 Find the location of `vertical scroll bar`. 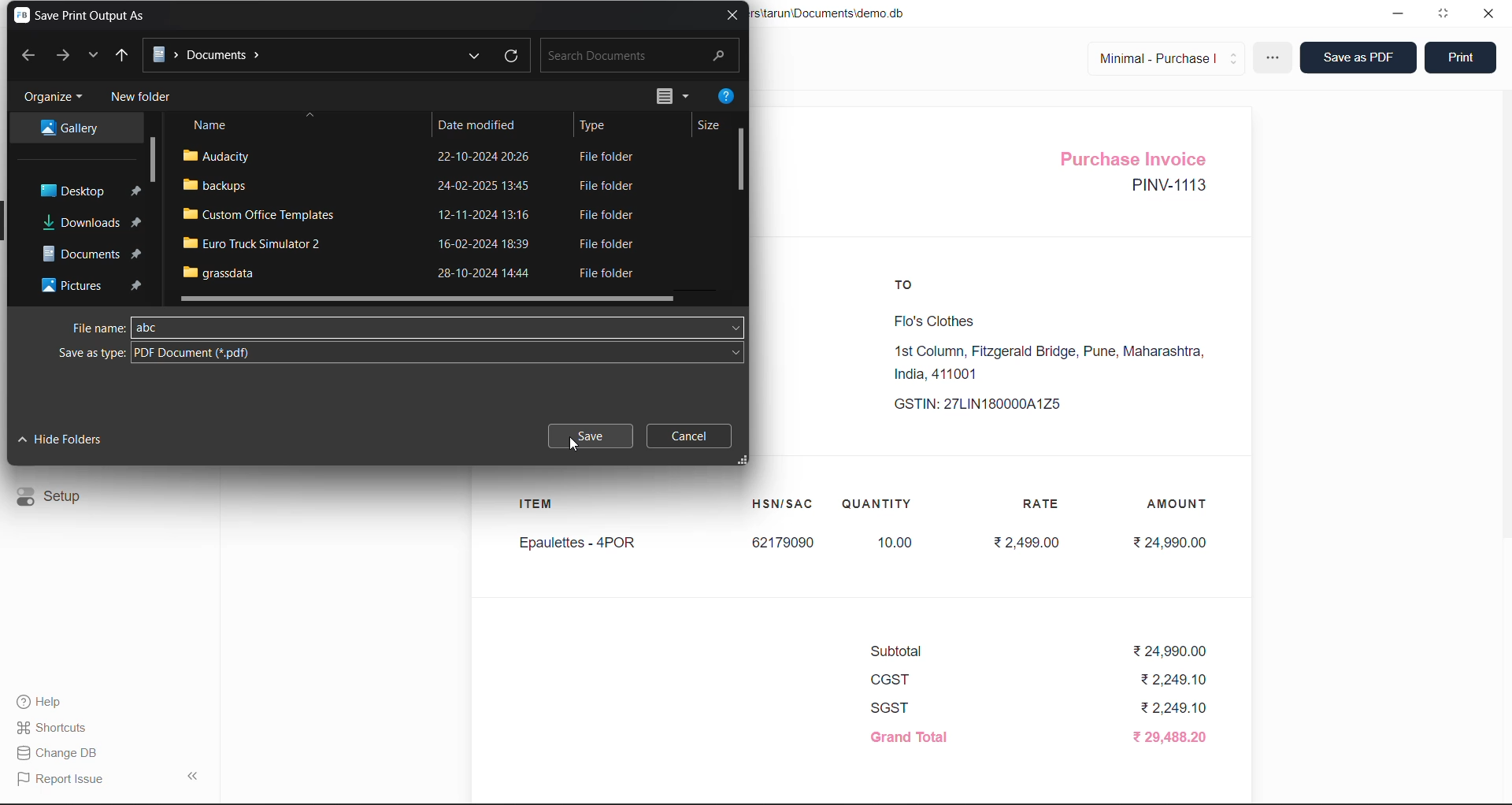

vertical scroll bar is located at coordinates (745, 161).